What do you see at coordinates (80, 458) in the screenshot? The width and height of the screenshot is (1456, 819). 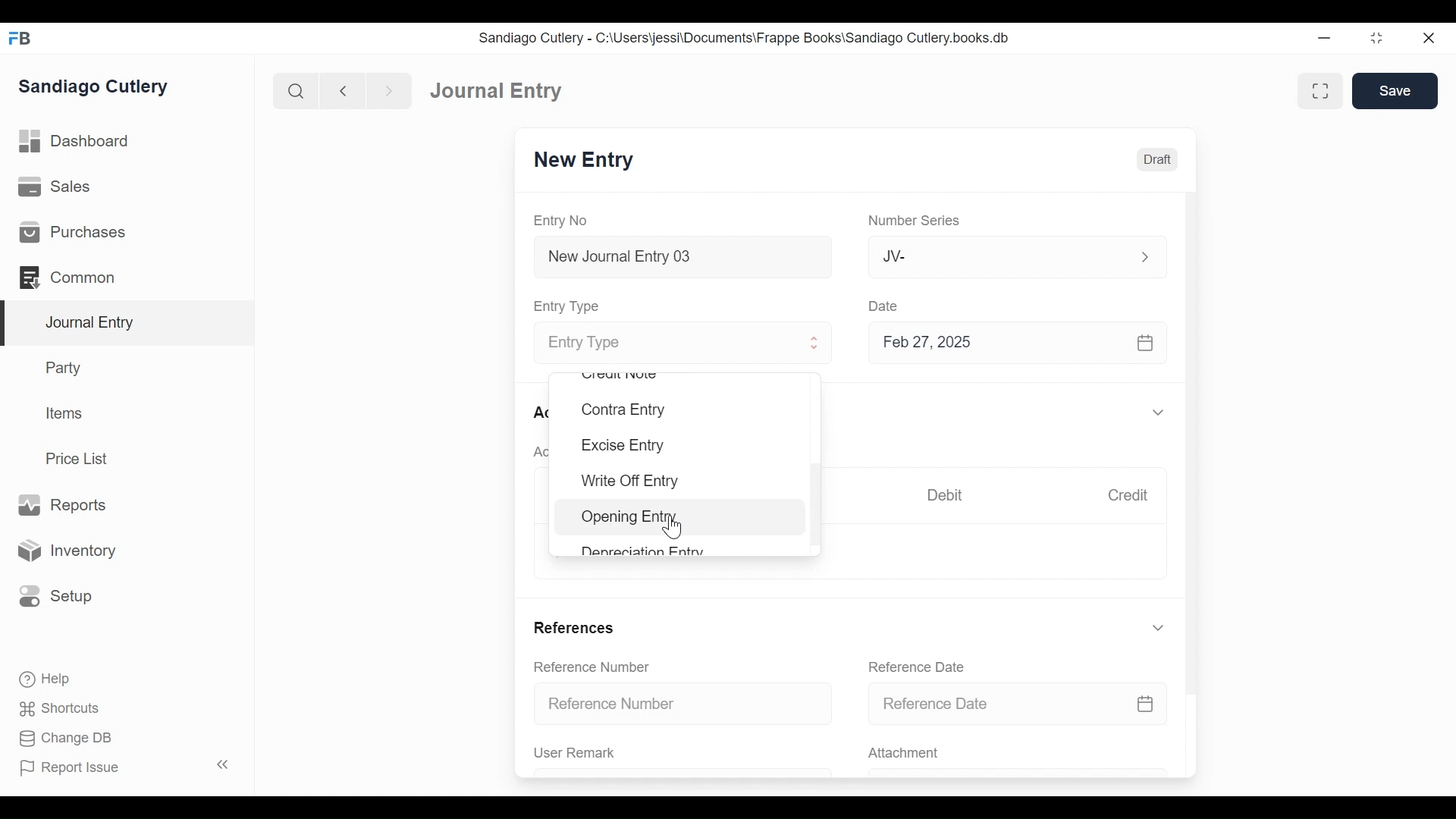 I see `Price List` at bounding box center [80, 458].